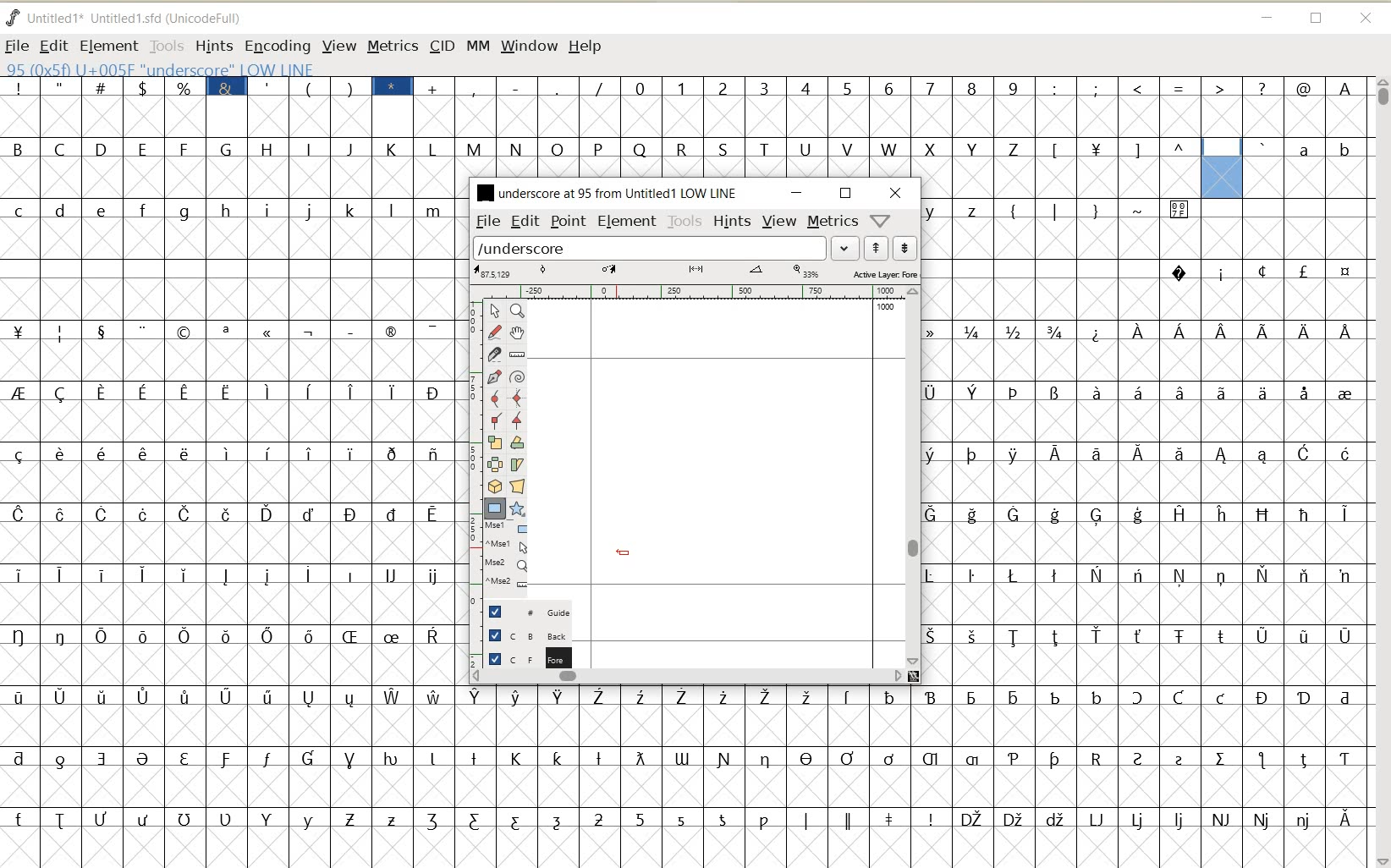 This screenshot has height=868, width=1391. What do you see at coordinates (877, 248) in the screenshot?
I see `show previous word list` at bounding box center [877, 248].